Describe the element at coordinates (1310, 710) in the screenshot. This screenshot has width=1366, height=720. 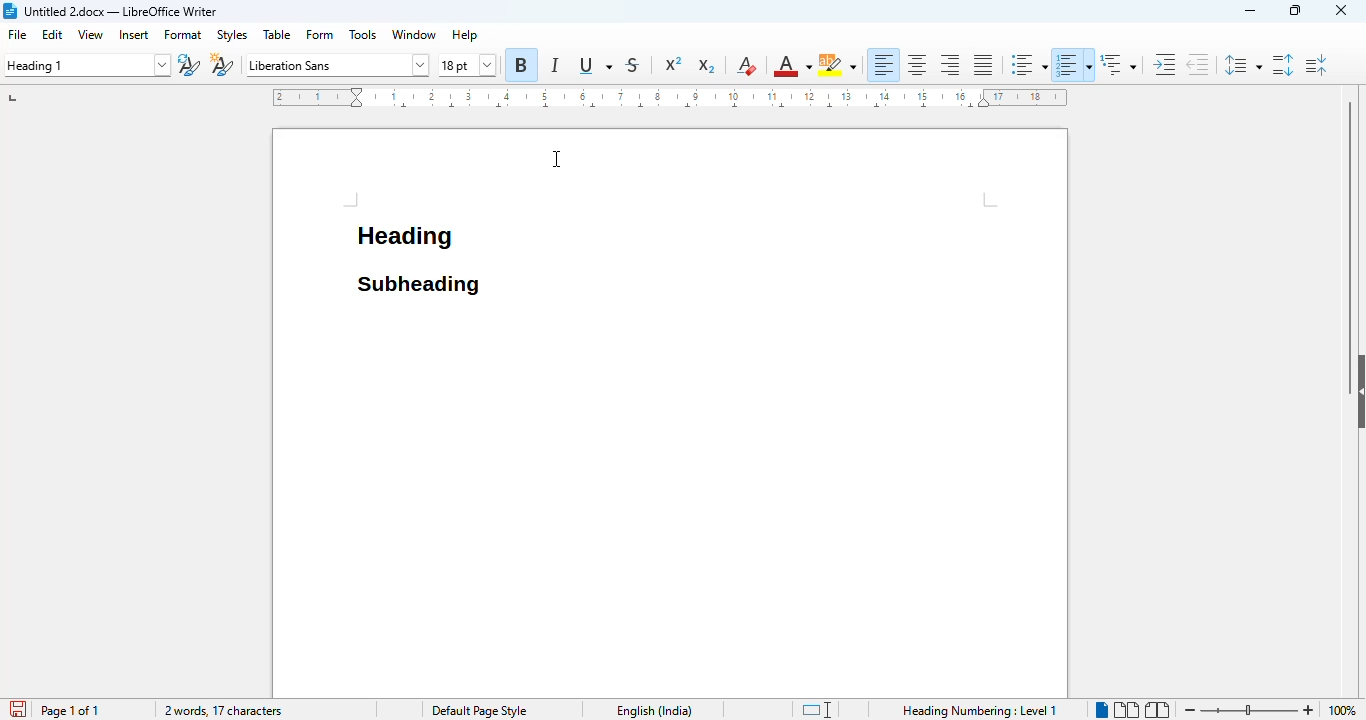
I see `zoom in` at that location.